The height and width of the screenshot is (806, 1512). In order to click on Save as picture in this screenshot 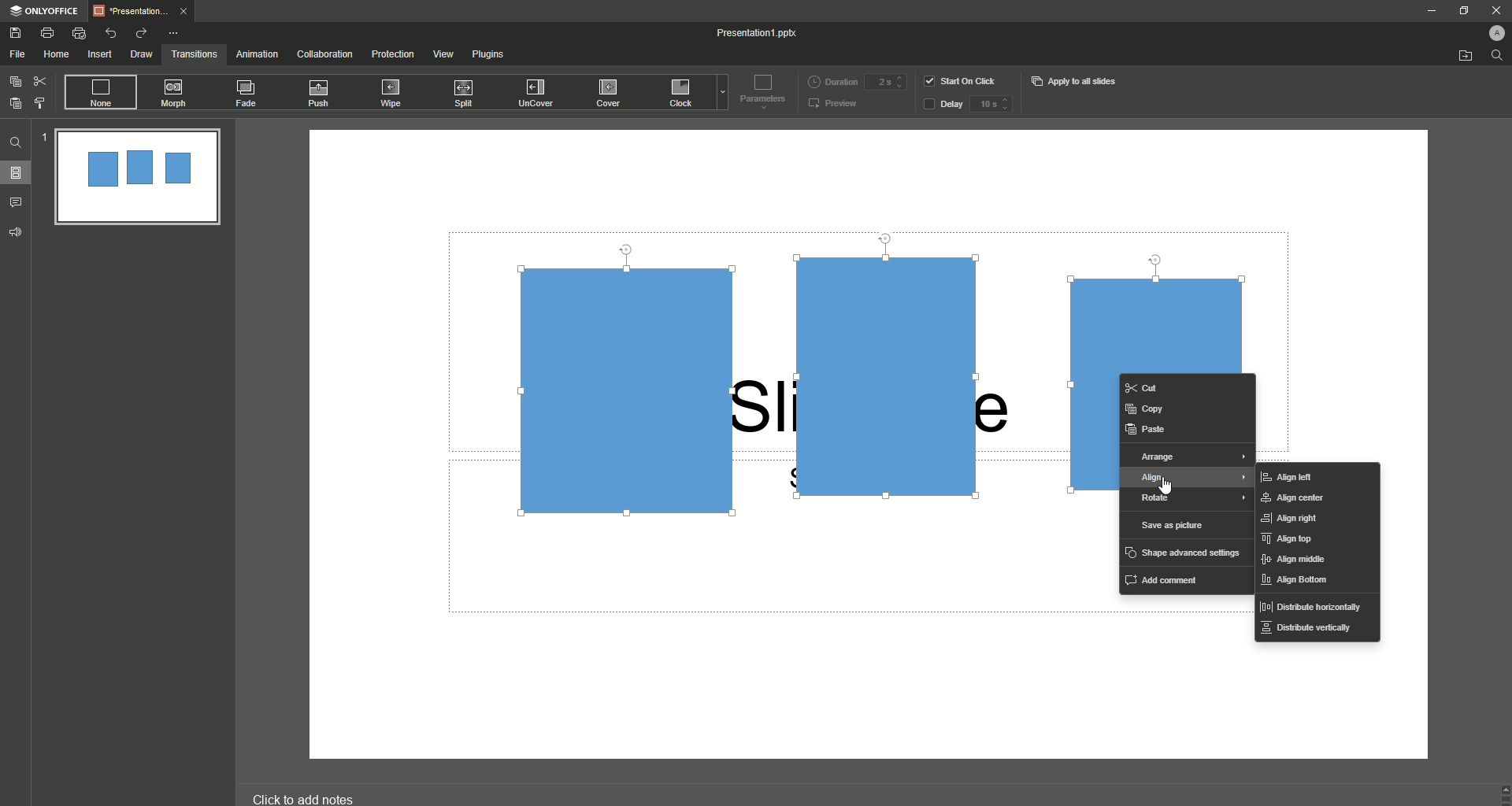, I will do `click(1174, 526)`.